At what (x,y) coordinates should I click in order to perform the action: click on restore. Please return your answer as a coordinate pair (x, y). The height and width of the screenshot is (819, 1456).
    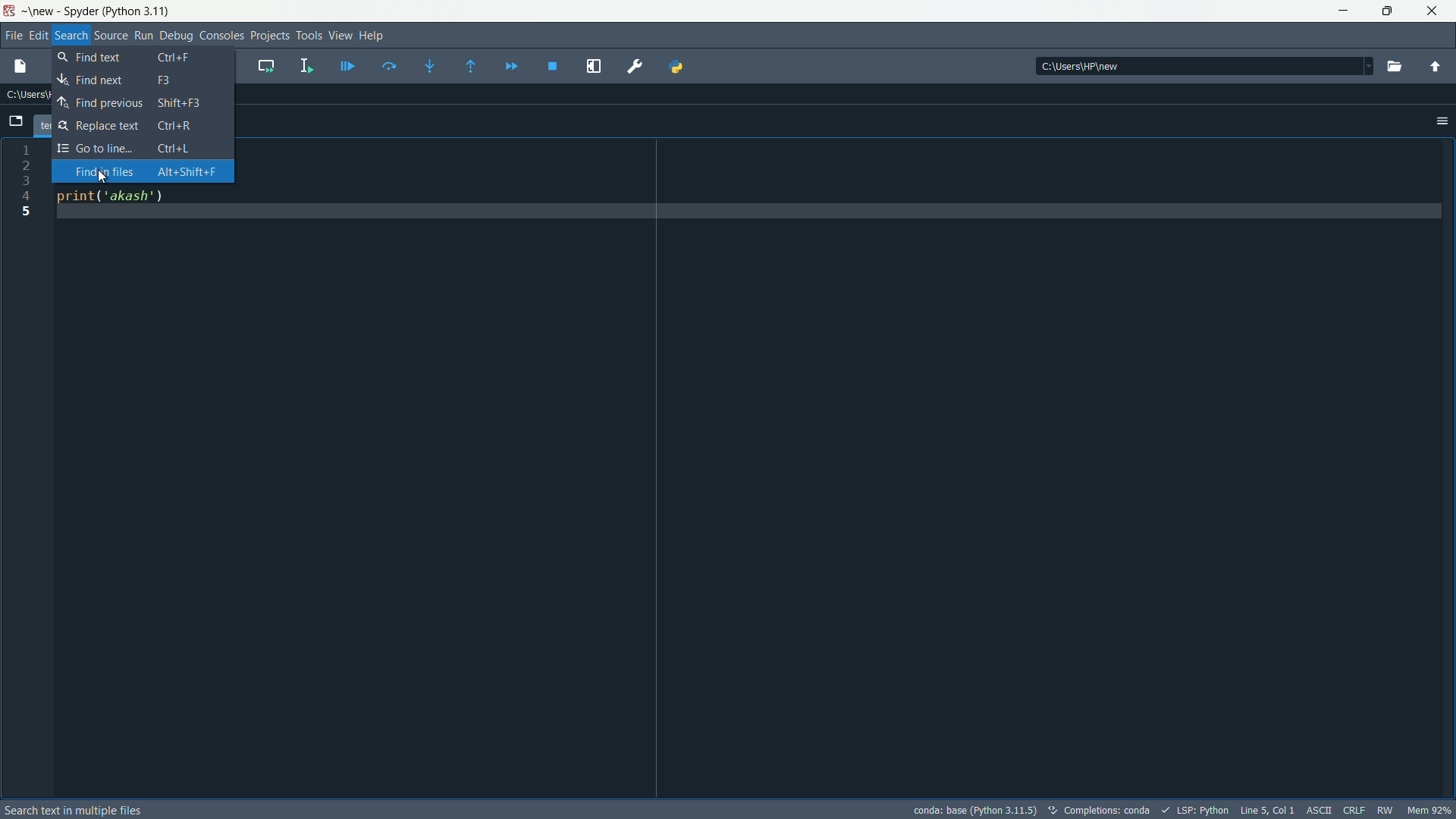
    Looking at the image, I should click on (1387, 11).